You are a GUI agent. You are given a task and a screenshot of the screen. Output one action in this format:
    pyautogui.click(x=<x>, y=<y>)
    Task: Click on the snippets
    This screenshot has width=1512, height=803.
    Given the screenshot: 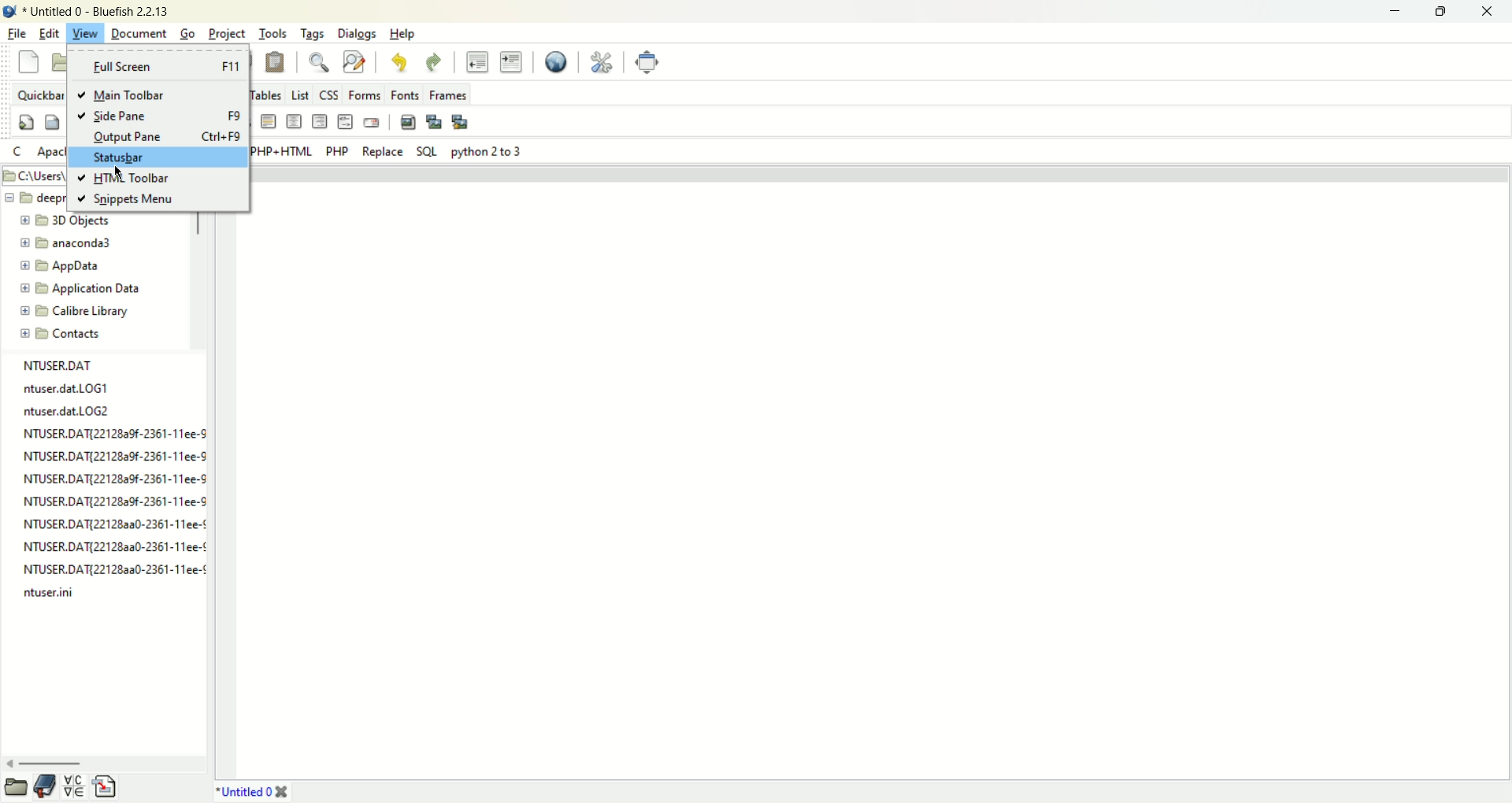 What is the action you would take?
    pyautogui.click(x=108, y=789)
    